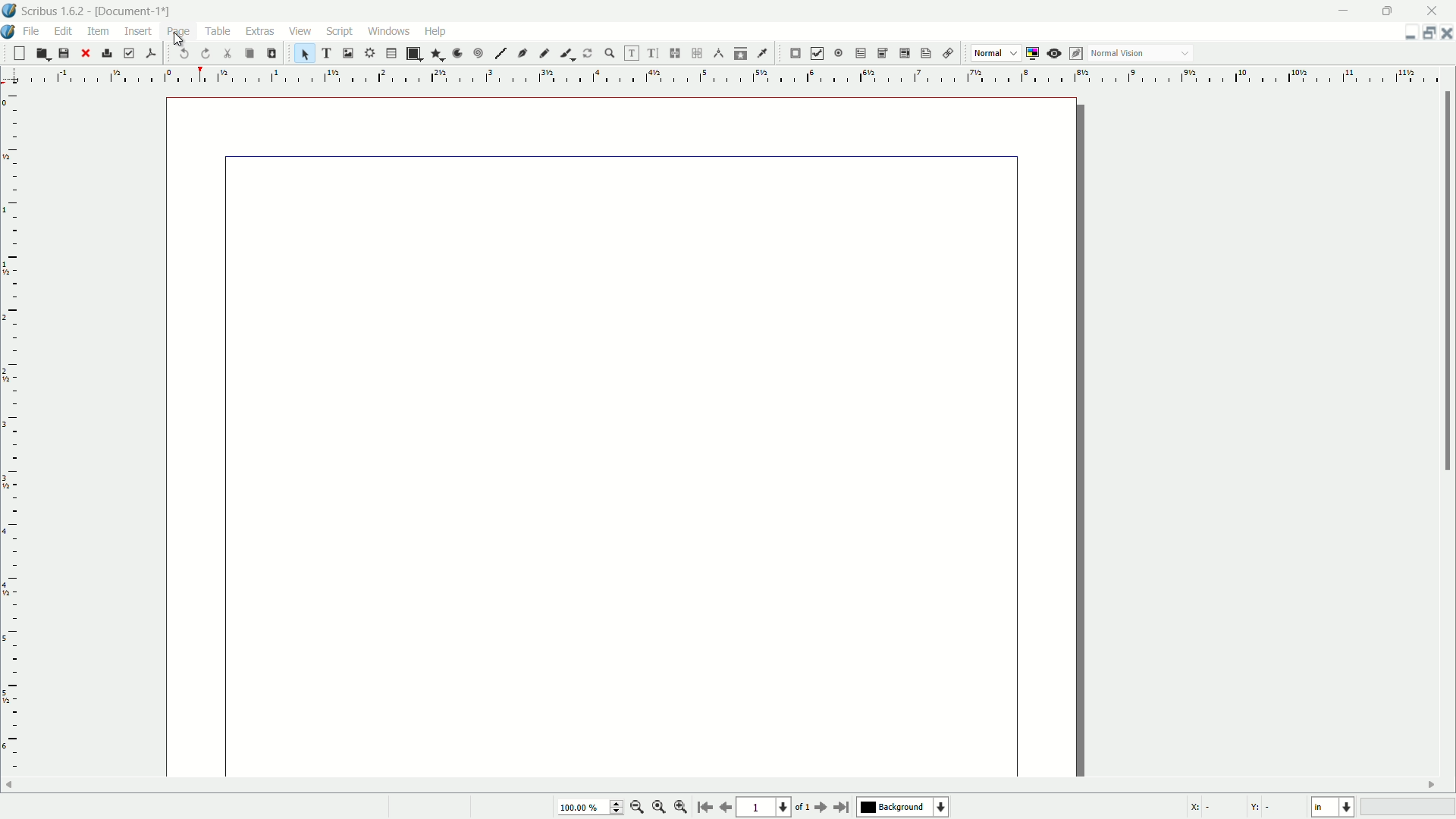 The height and width of the screenshot is (819, 1456). I want to click on go to start page, so click(703, 808).